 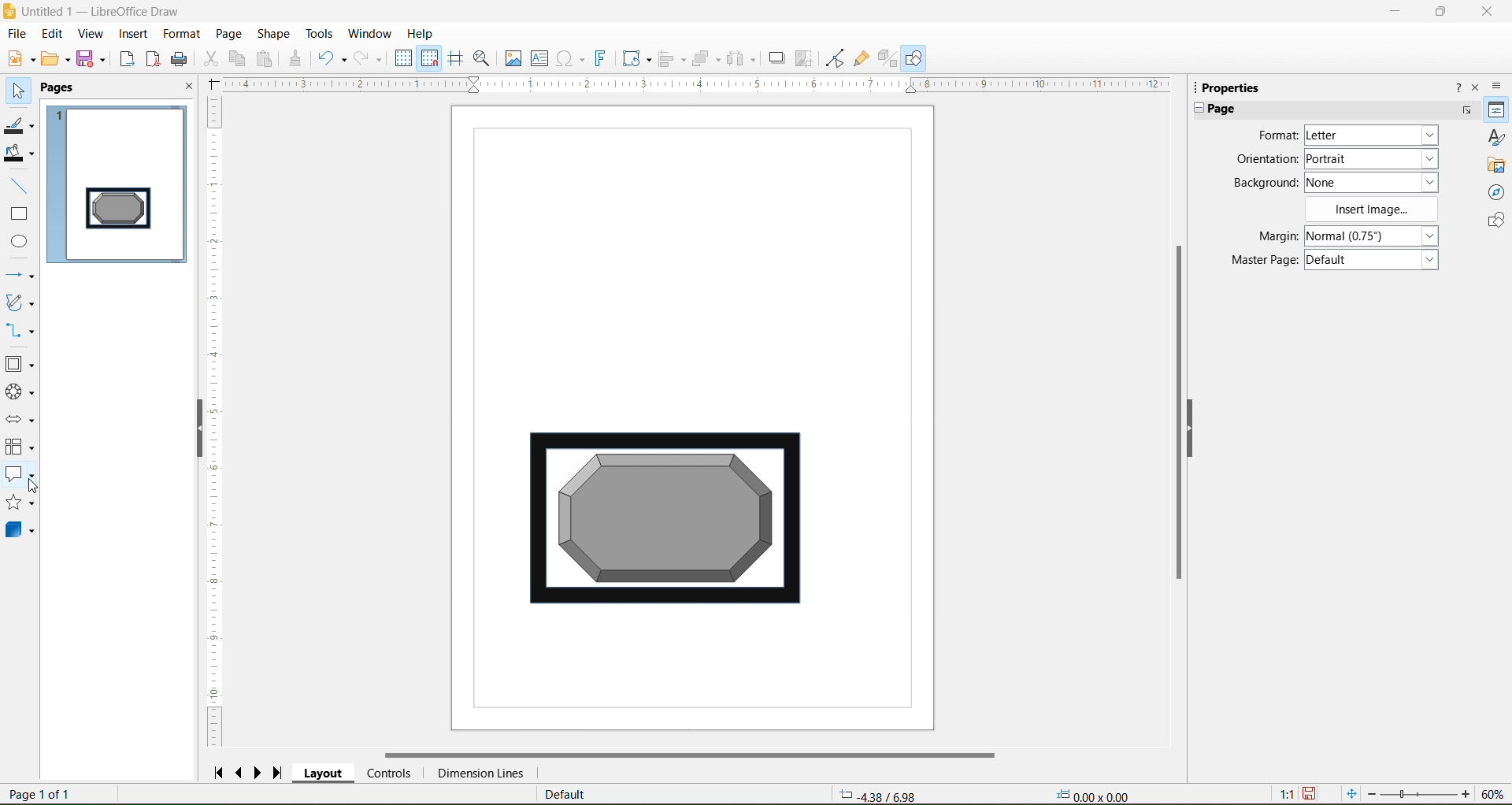 I want to click on Print, so click(x=180, y=58).